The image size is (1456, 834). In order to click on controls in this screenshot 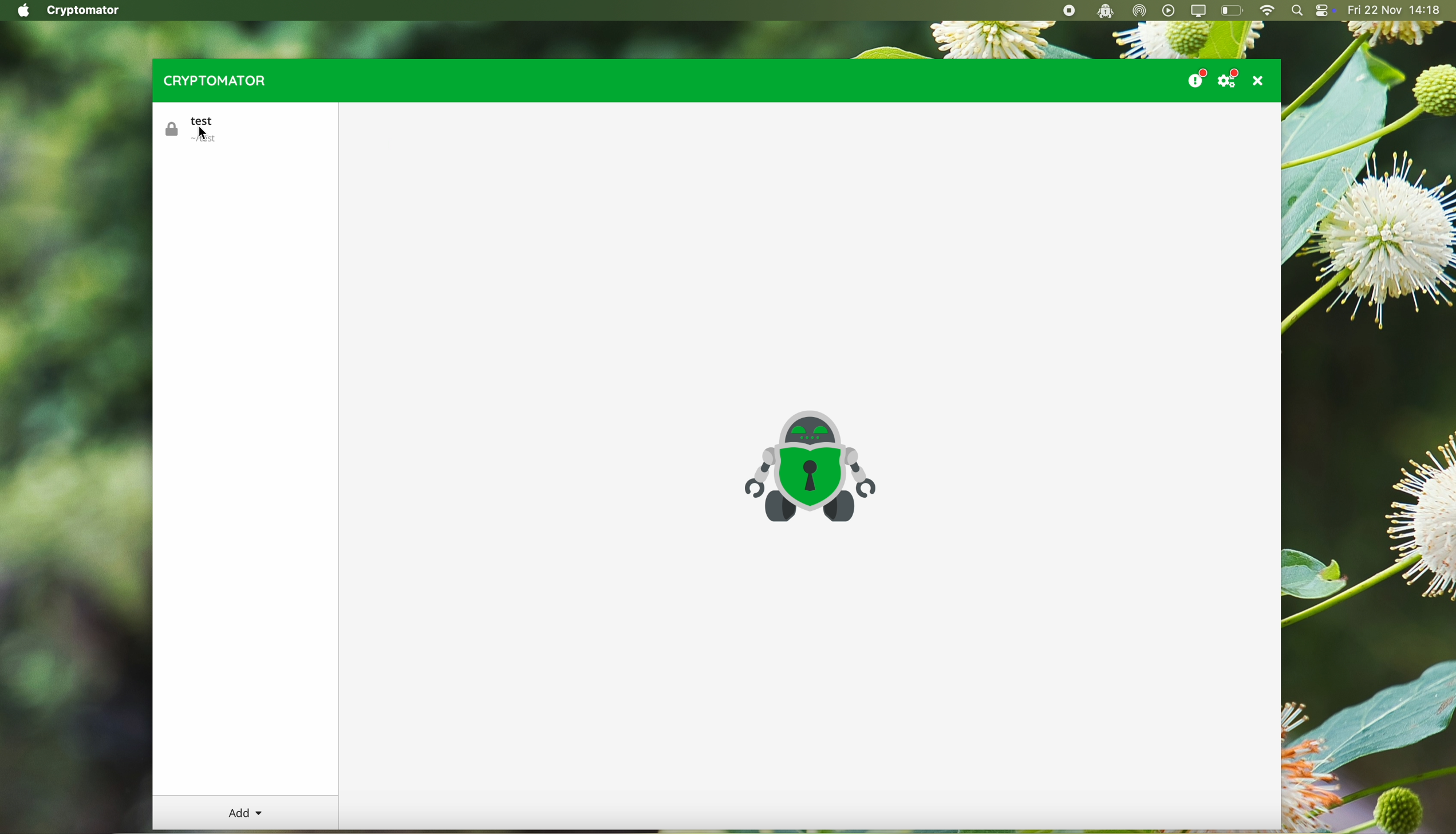, I will do `click(1325, 11)`.